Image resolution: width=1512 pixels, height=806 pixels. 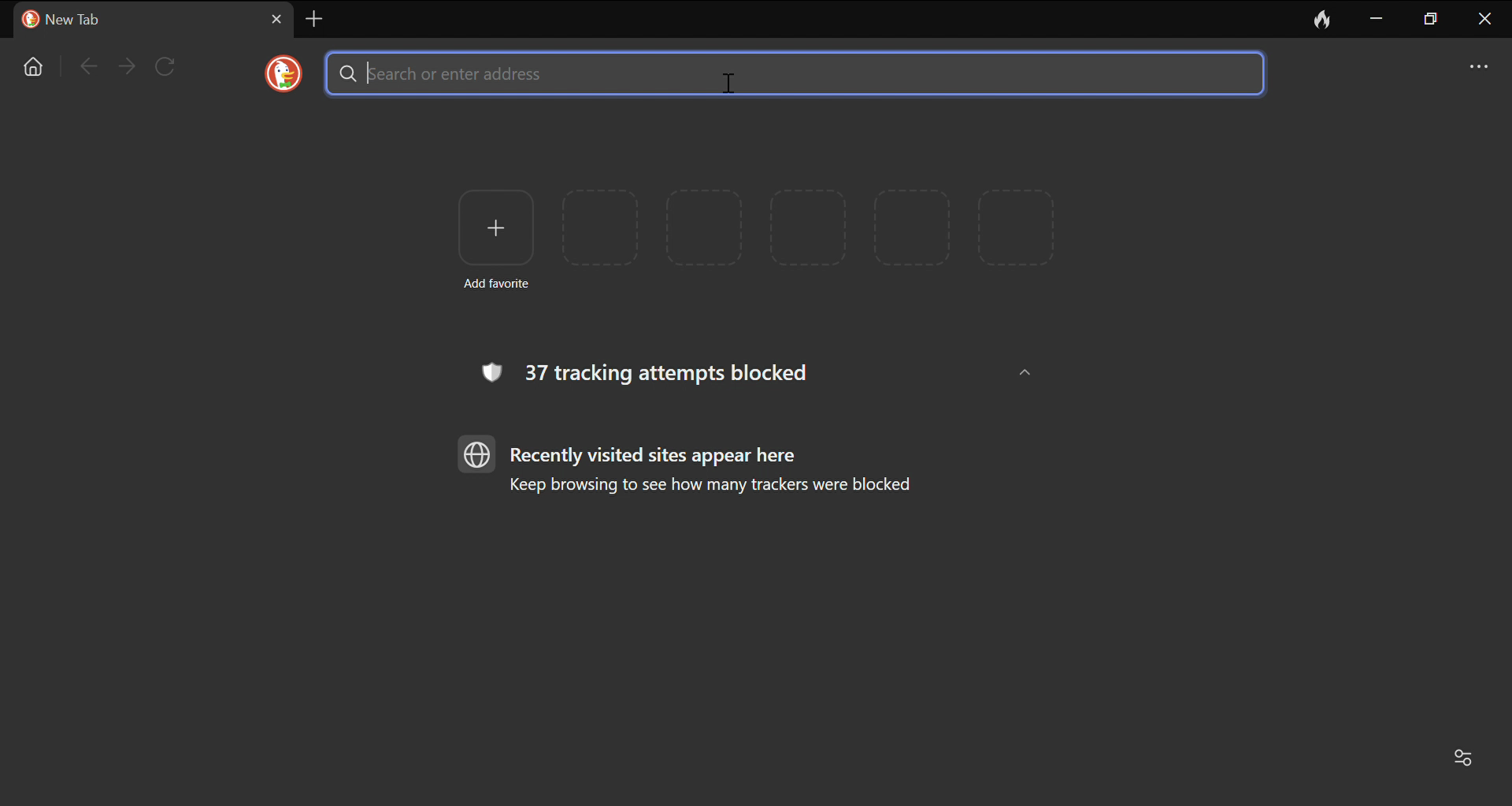 What do you see at coordinates (495, 237) in the screenshot?
I see `Add favorite` at bounding box center [495, 237].